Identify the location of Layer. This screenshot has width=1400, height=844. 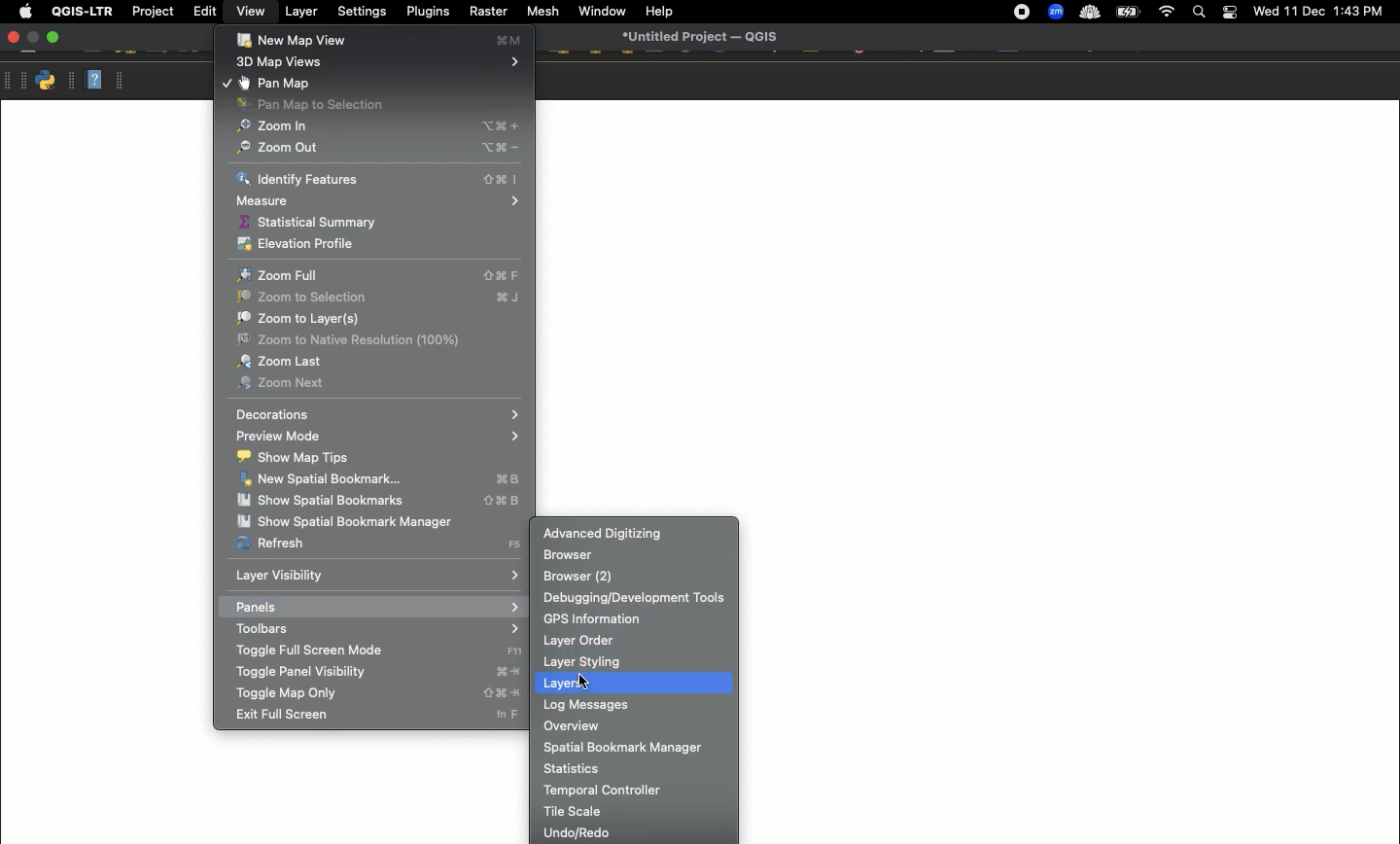
(302, 12).